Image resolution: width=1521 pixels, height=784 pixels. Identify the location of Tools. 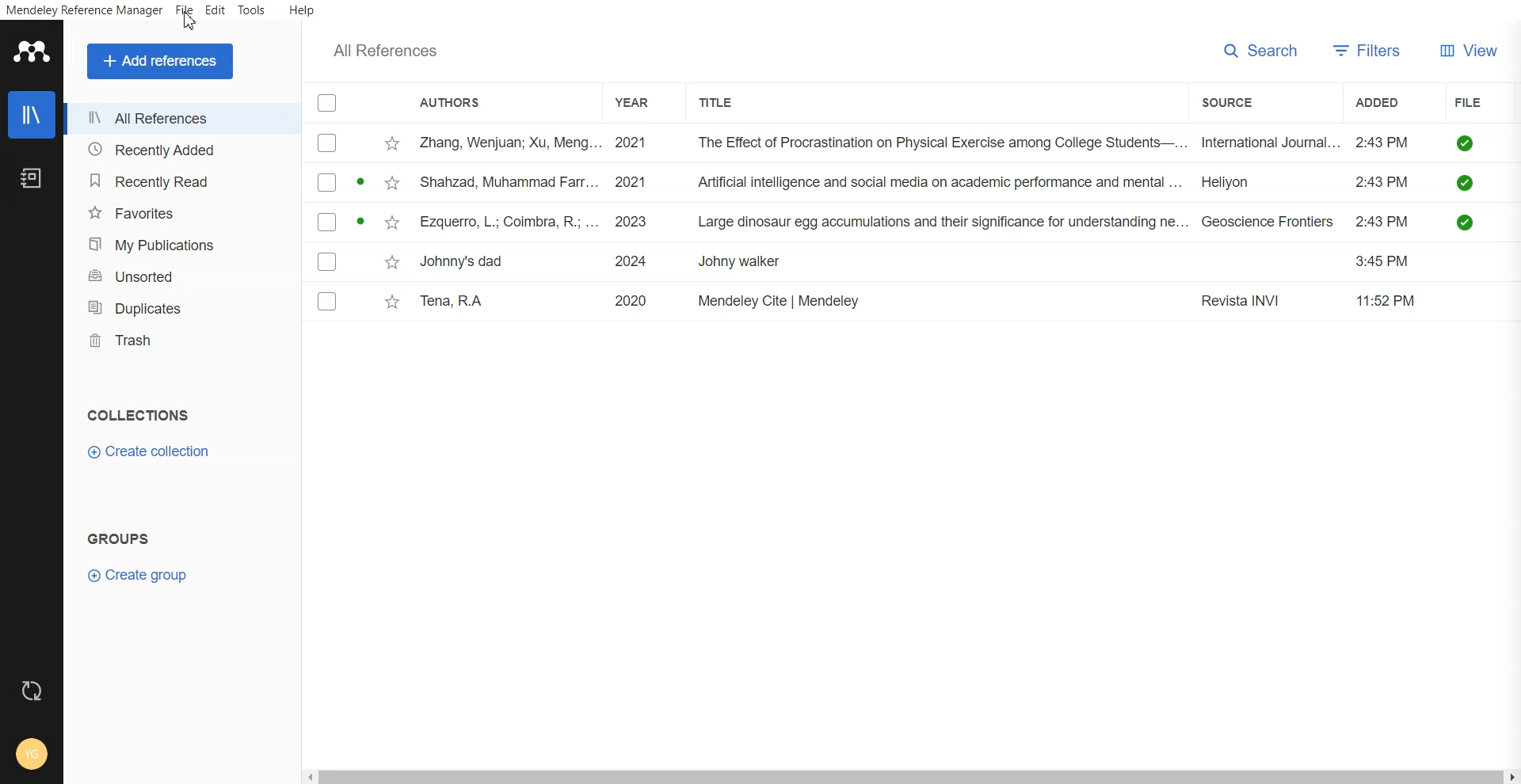
(250, 10).